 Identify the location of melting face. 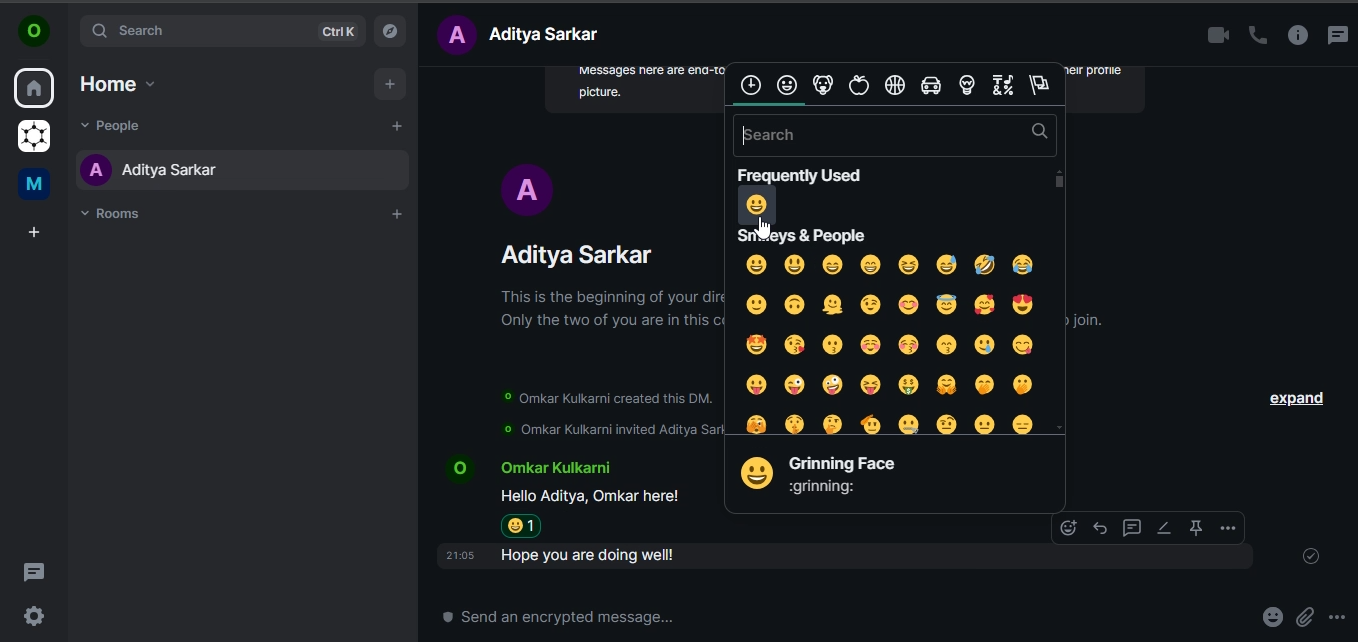
(830, 304).